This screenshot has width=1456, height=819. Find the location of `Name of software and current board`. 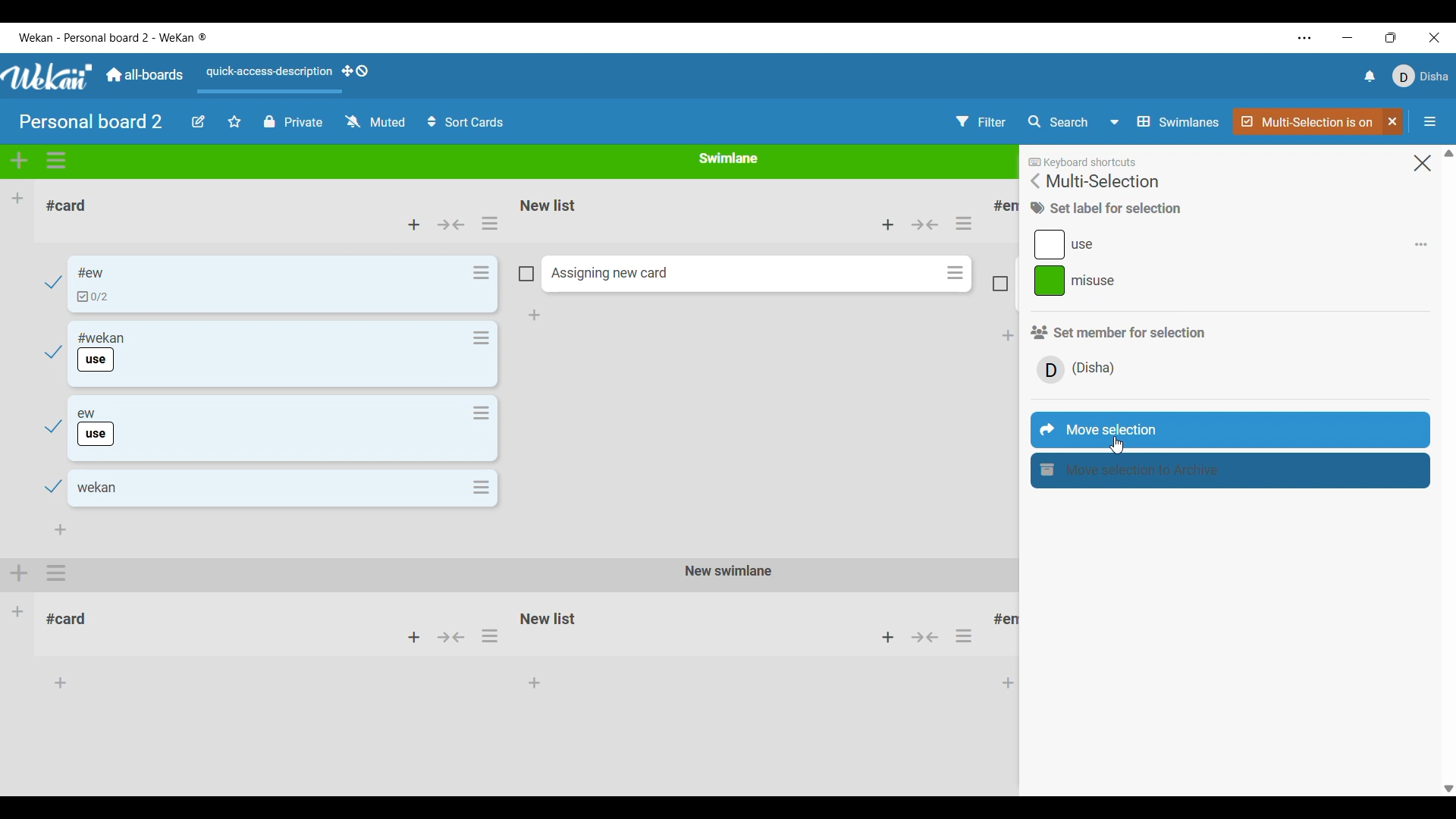

Name of software and current board is located at coordinates (112, 37).